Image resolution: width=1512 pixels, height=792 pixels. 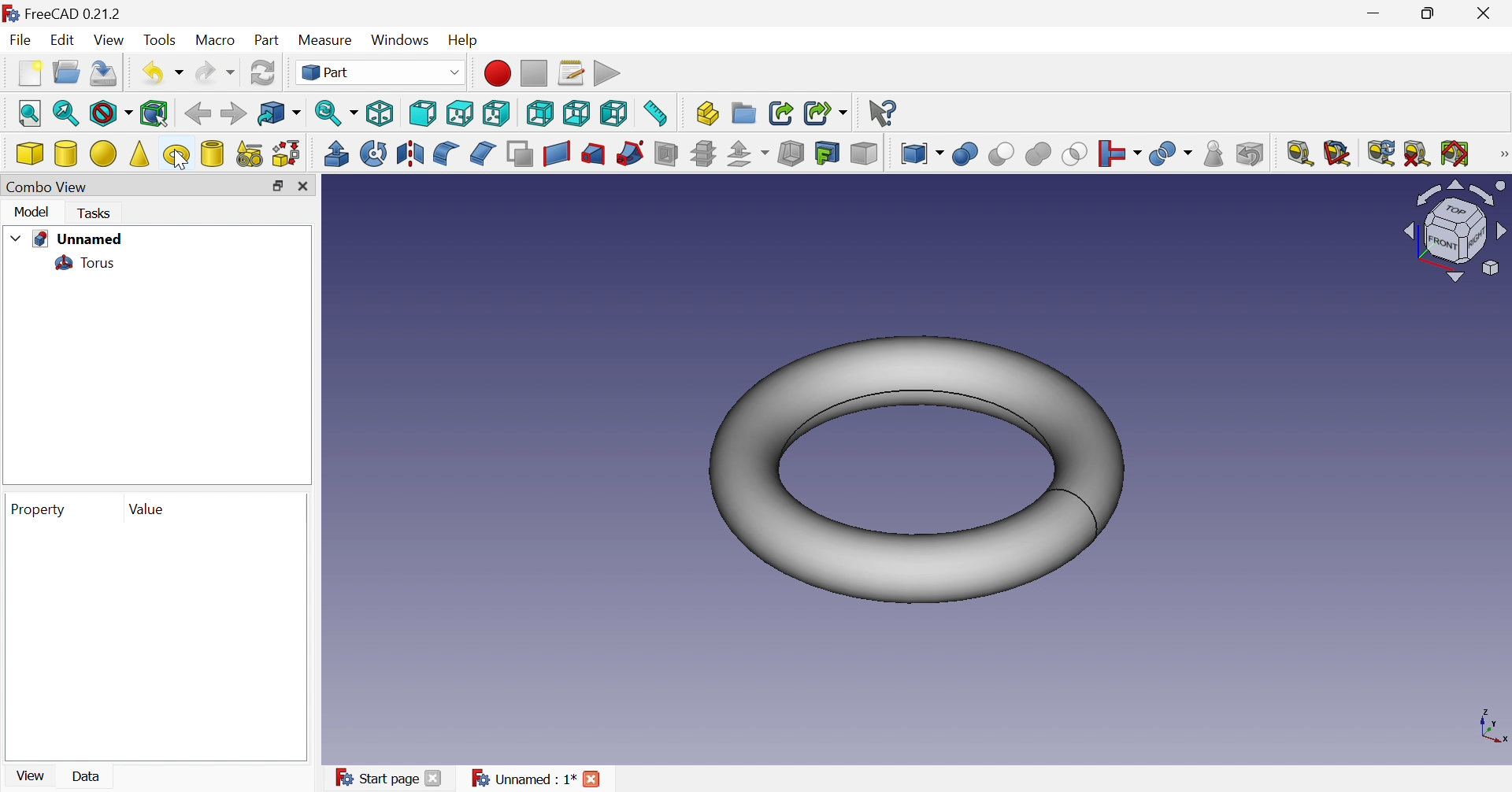 I want to click on Cut, so click(x=1002, y=154).